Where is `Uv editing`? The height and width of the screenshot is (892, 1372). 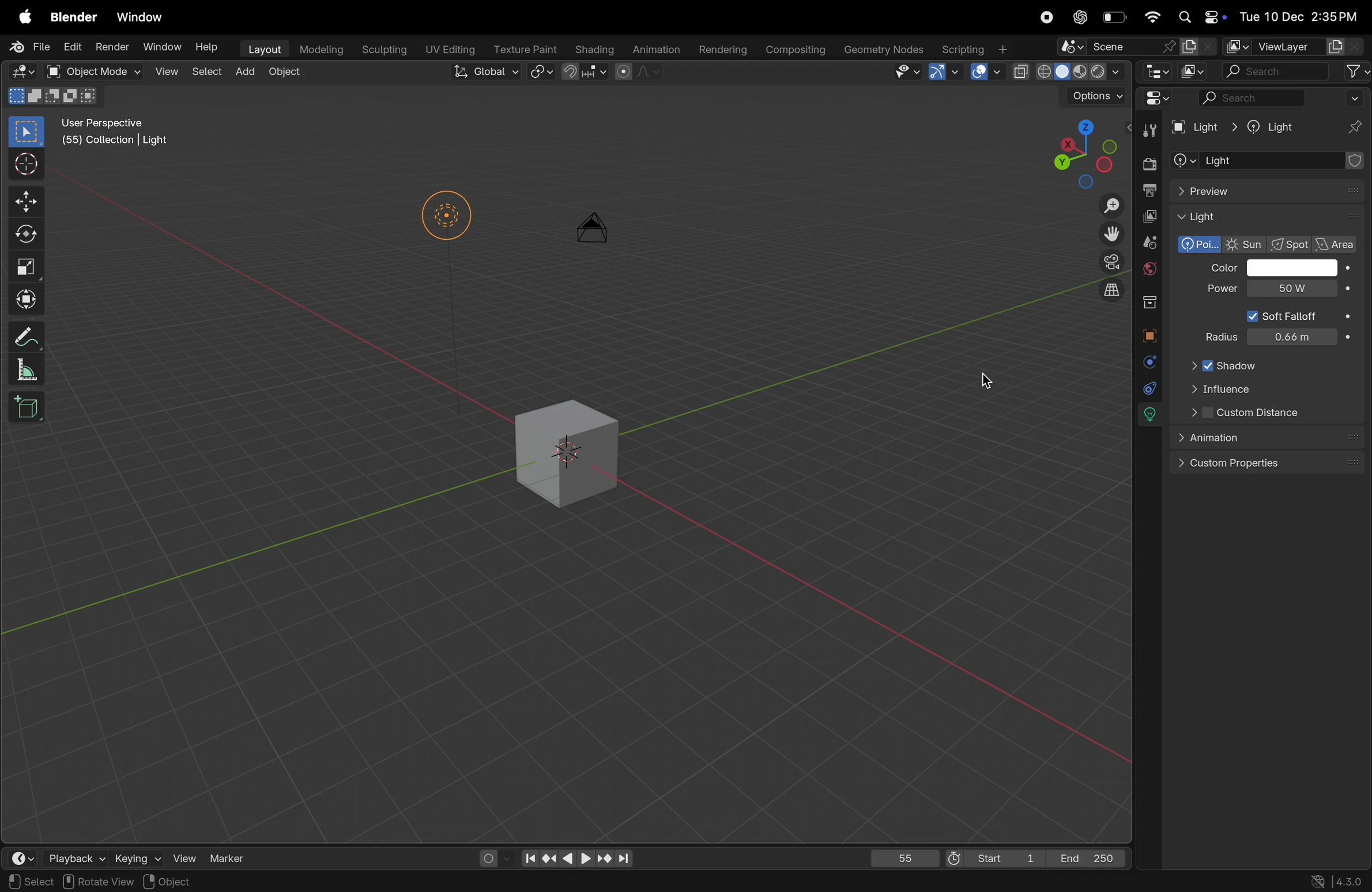 Uv editing is located at coordinates (447, 48).